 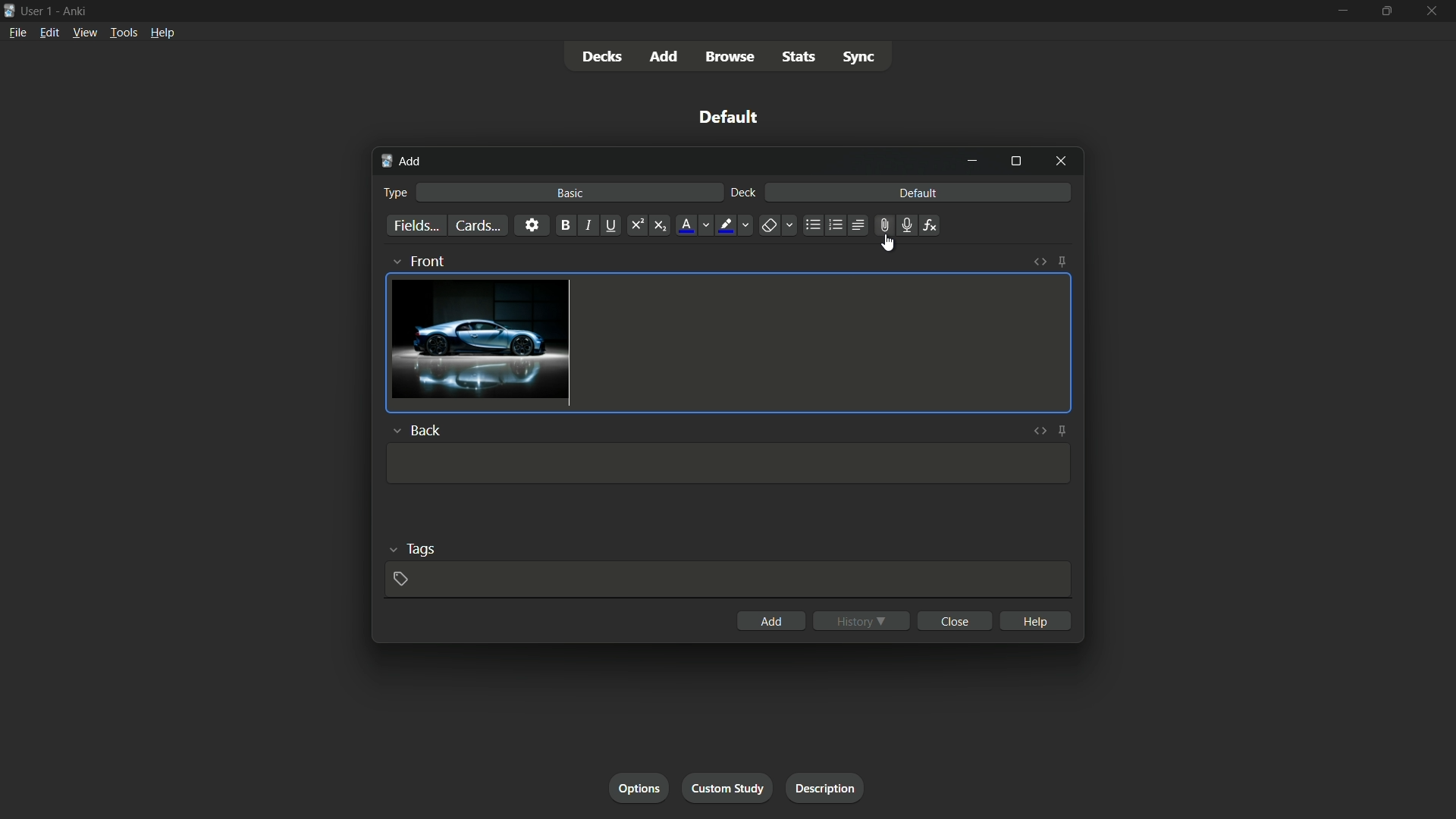 I want to click on subscript, so click(x=661, y=225).